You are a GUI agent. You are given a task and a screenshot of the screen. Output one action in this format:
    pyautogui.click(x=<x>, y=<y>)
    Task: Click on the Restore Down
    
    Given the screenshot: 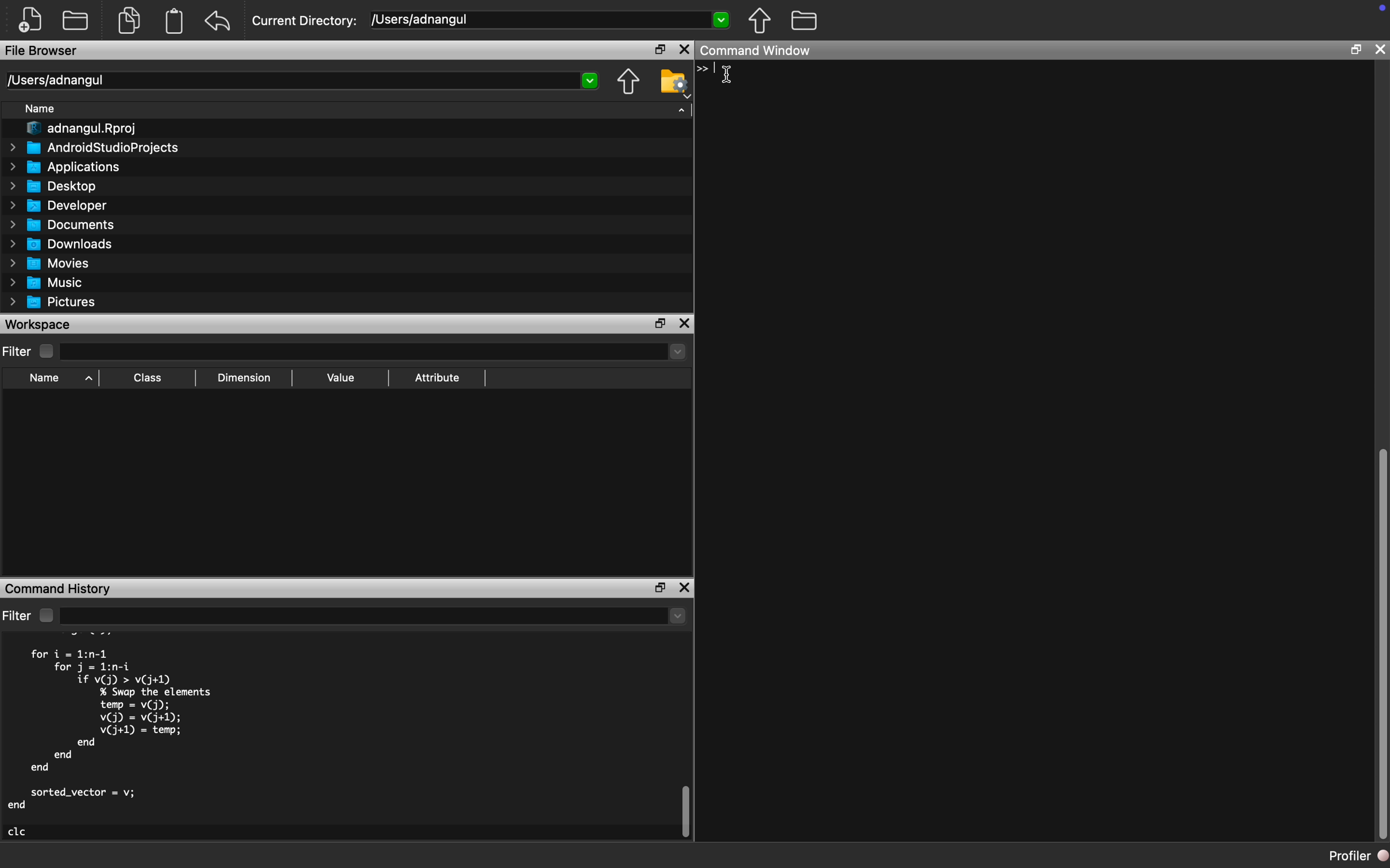 What is the action you would take?
    pyautogui.click(x=1354, y=50)
    